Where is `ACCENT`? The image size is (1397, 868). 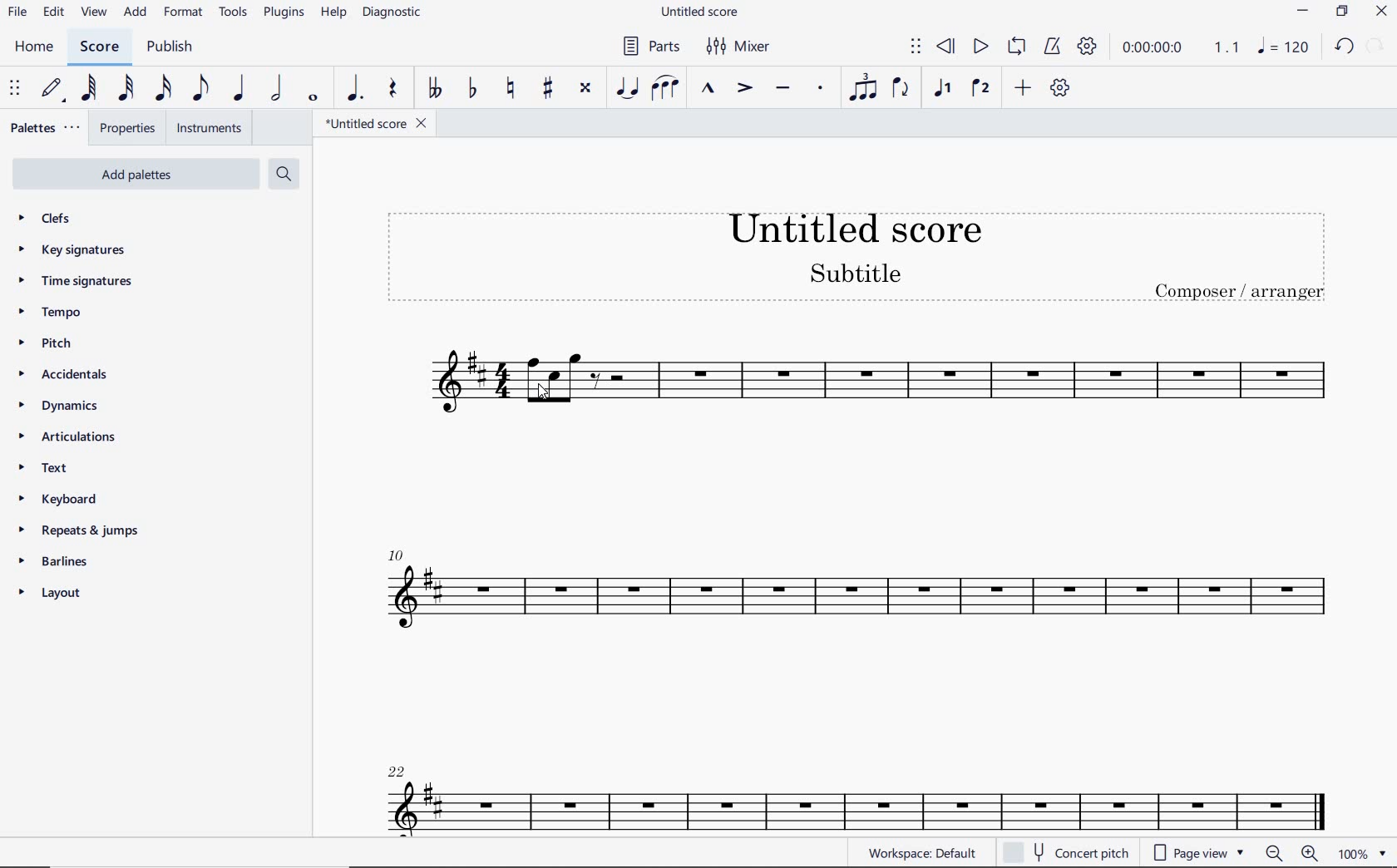 ACCENT is located at coordinates (745, 91).